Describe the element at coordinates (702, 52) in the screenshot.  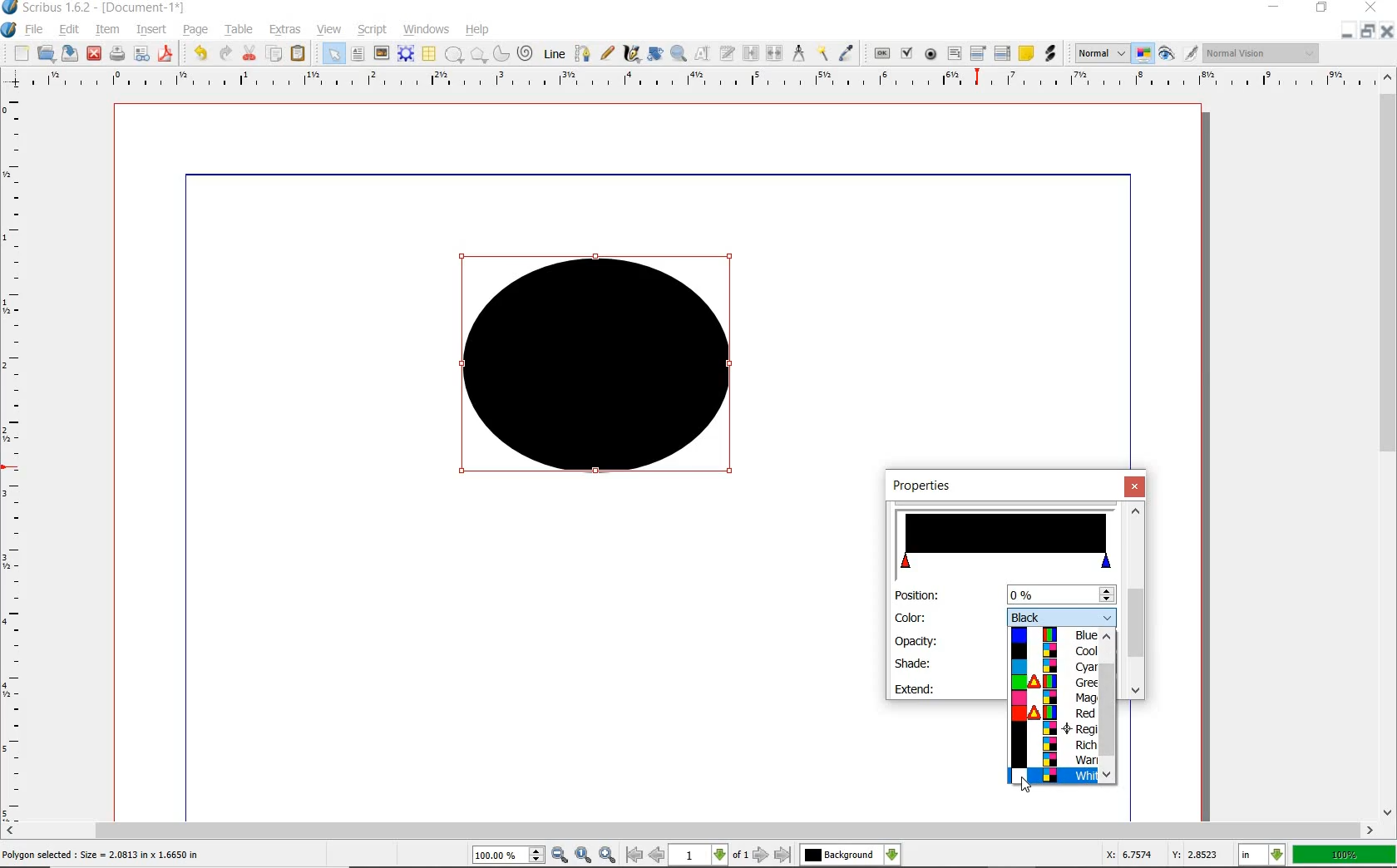
I see `EDIT CONTENTS OF FRAME` at that location.